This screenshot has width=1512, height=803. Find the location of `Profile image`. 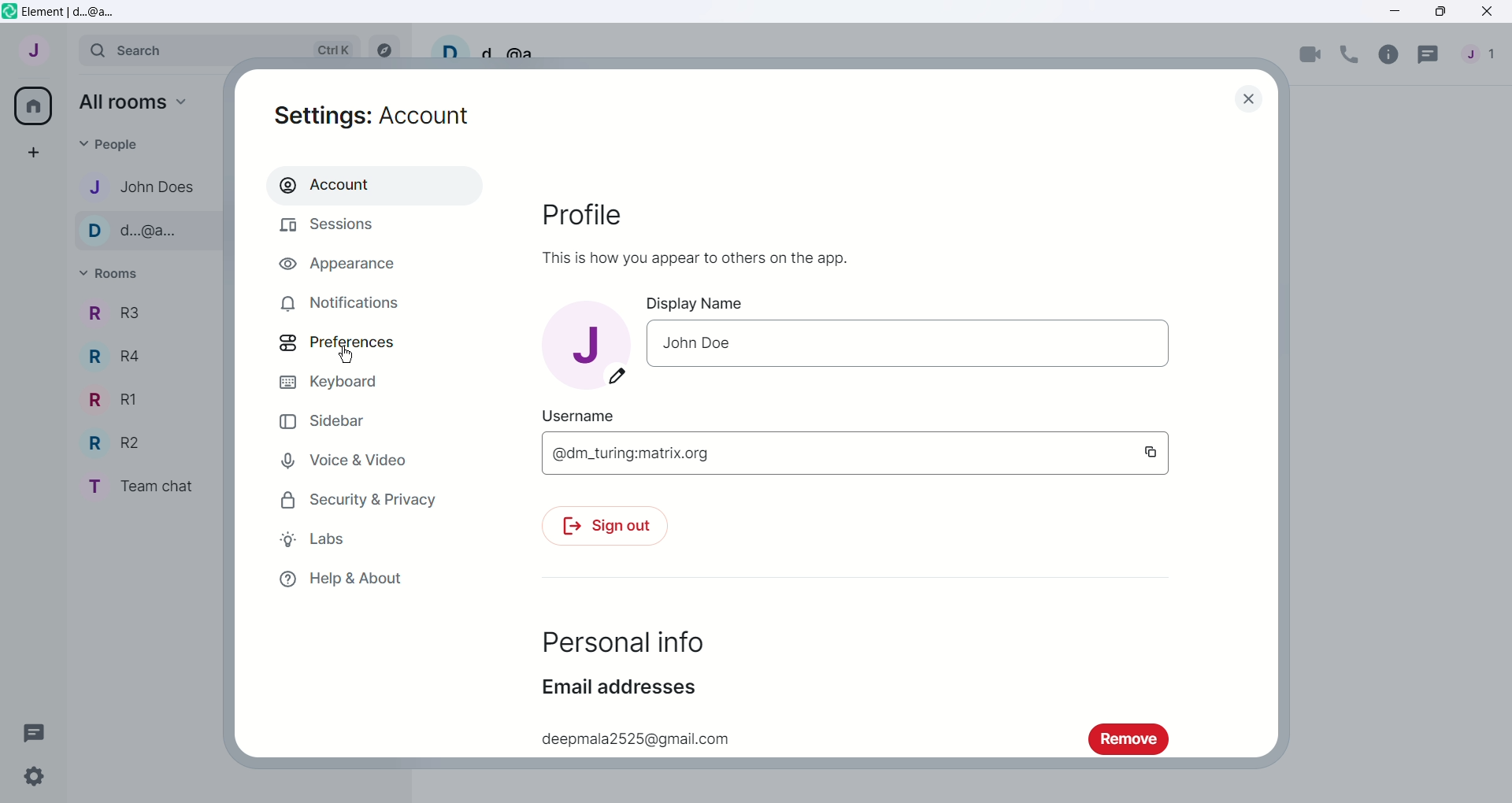

Profile image is located at coordinates (586, 346).